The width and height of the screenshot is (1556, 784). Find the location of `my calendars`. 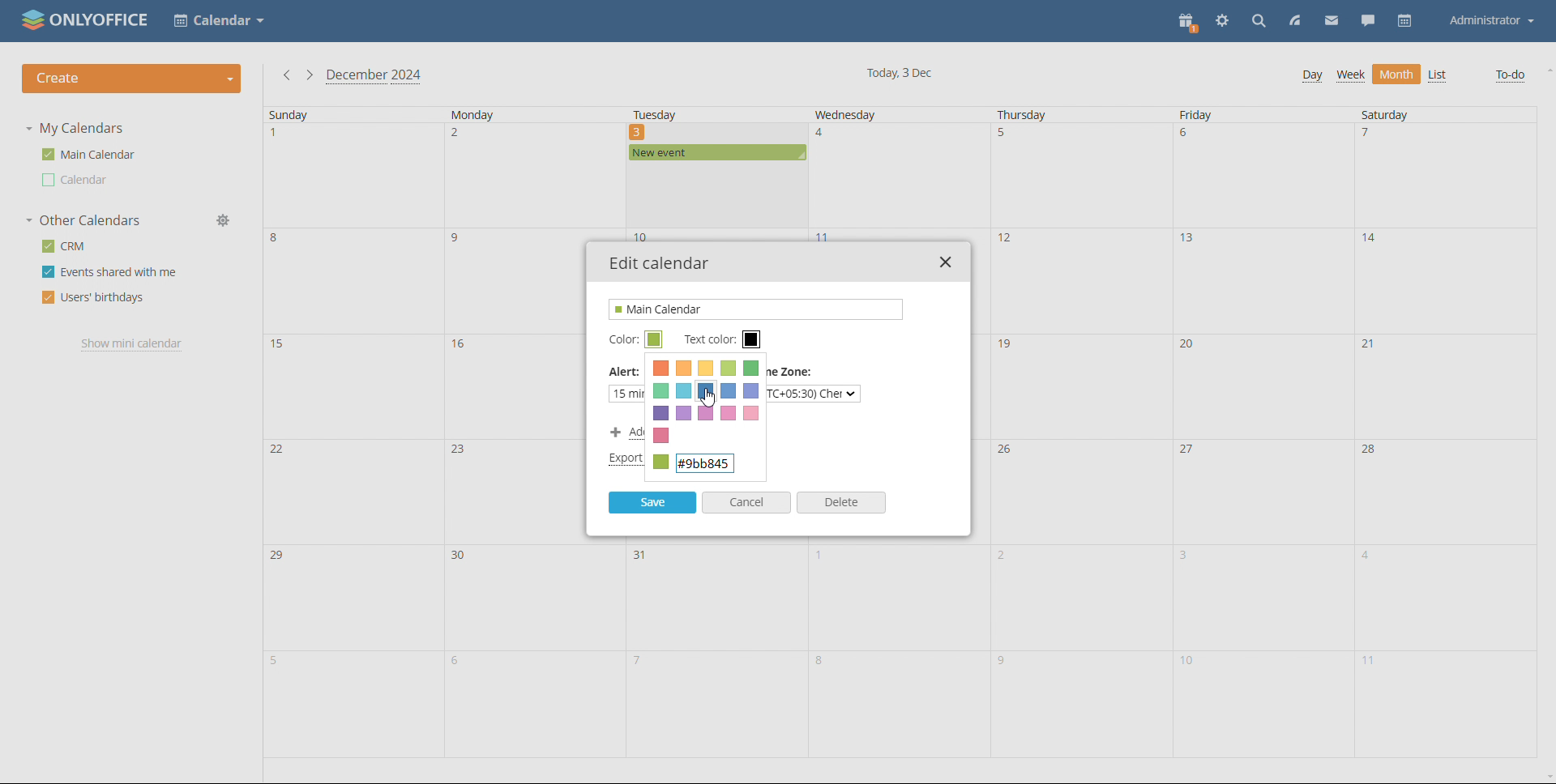

my calendars is located at coordinates (75, 128).